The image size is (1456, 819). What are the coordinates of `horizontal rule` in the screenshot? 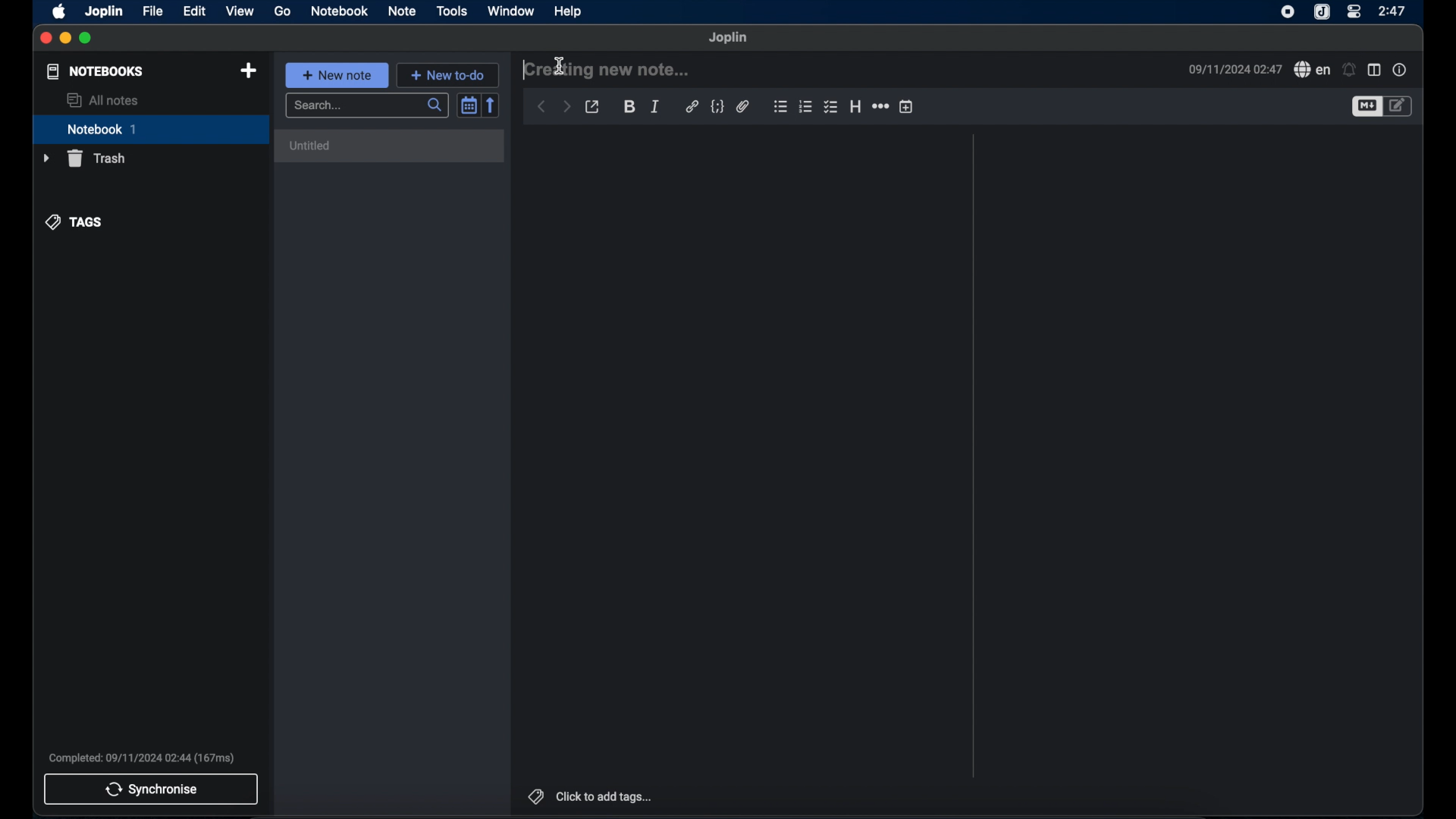 It's located at (880, 106).